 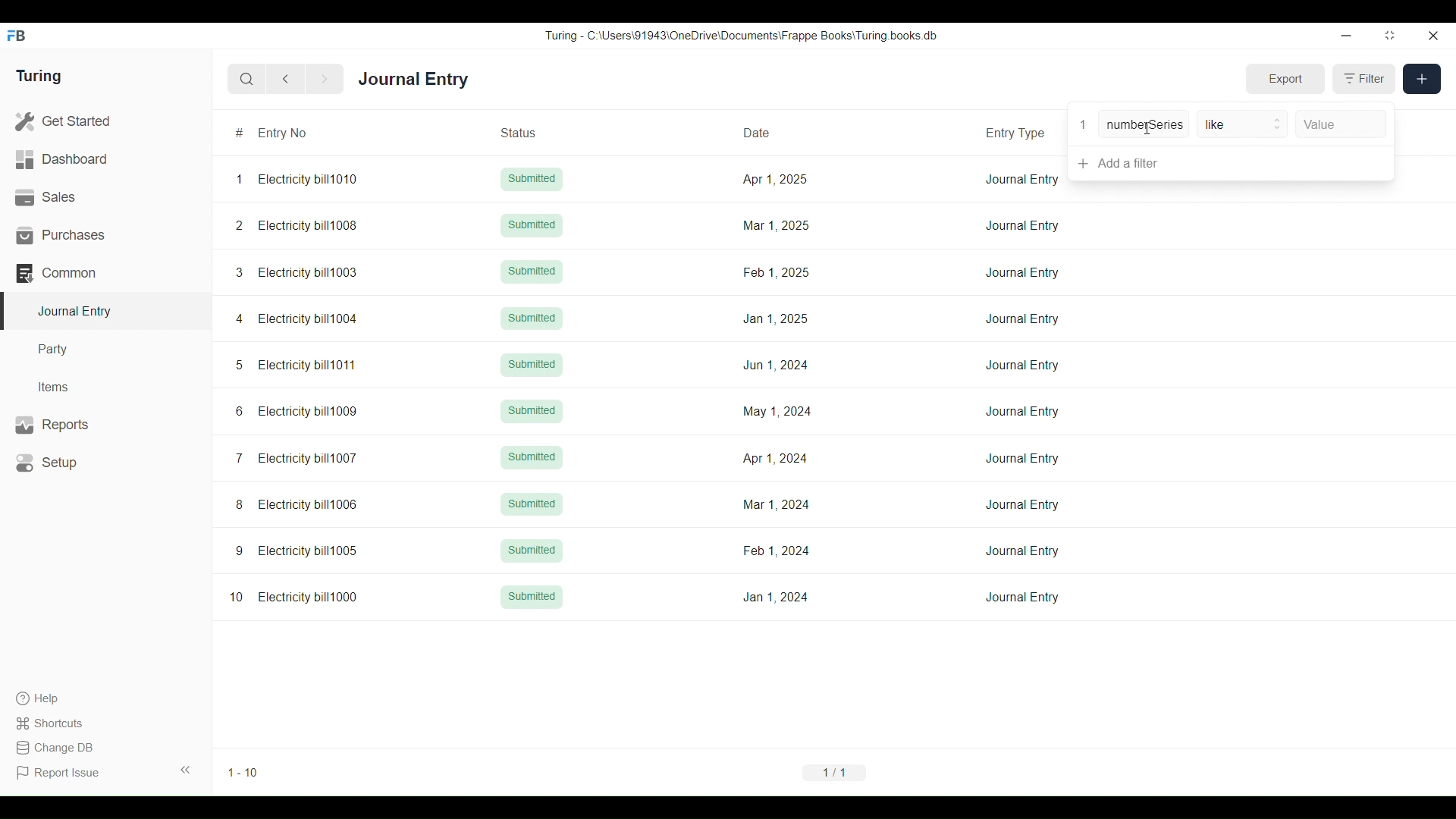 I want to click on Minimize, so click(x=1347, y=36).